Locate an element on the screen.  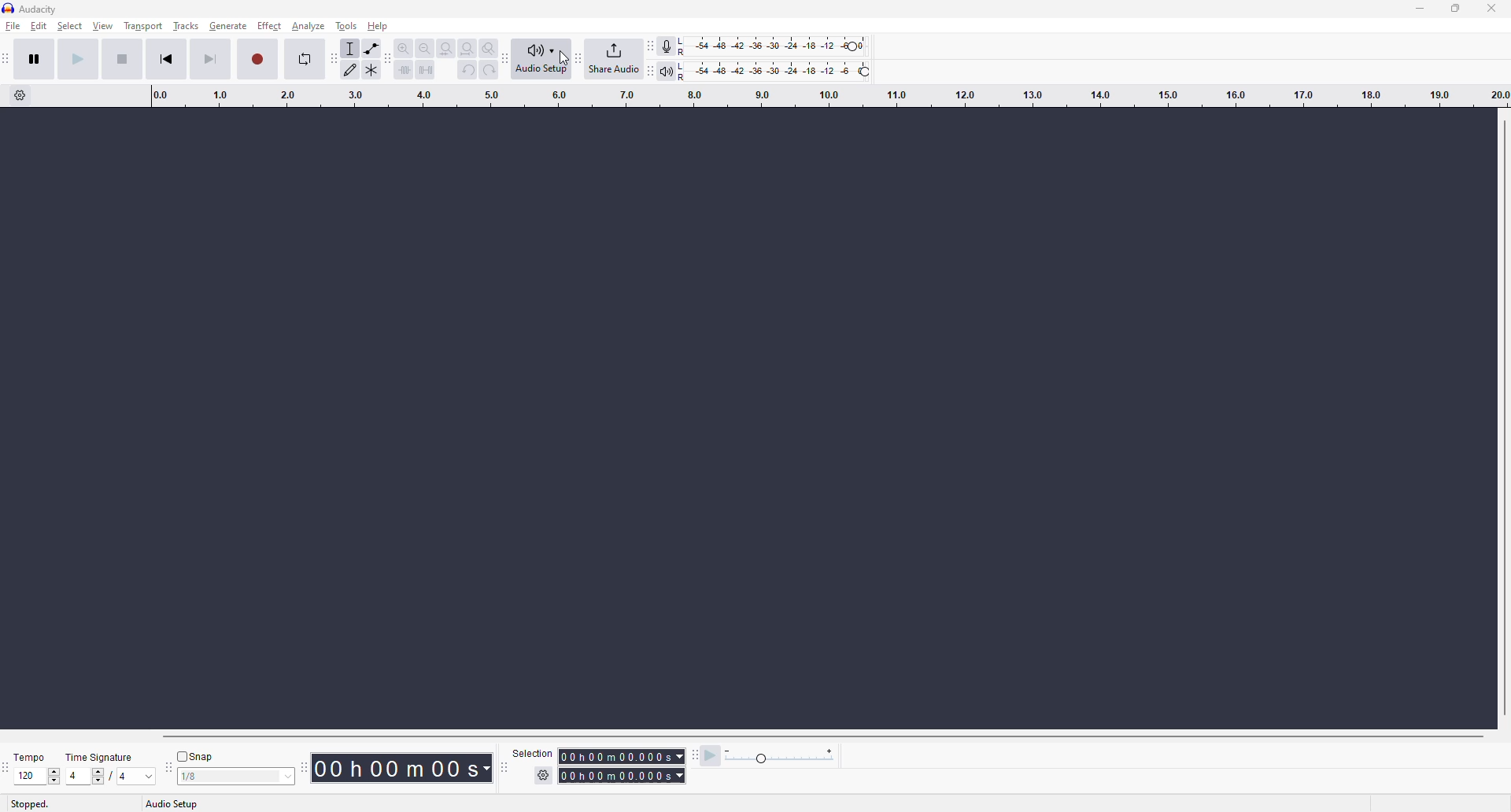
audacity share audio toolbar is located at coordinates (576, 57).